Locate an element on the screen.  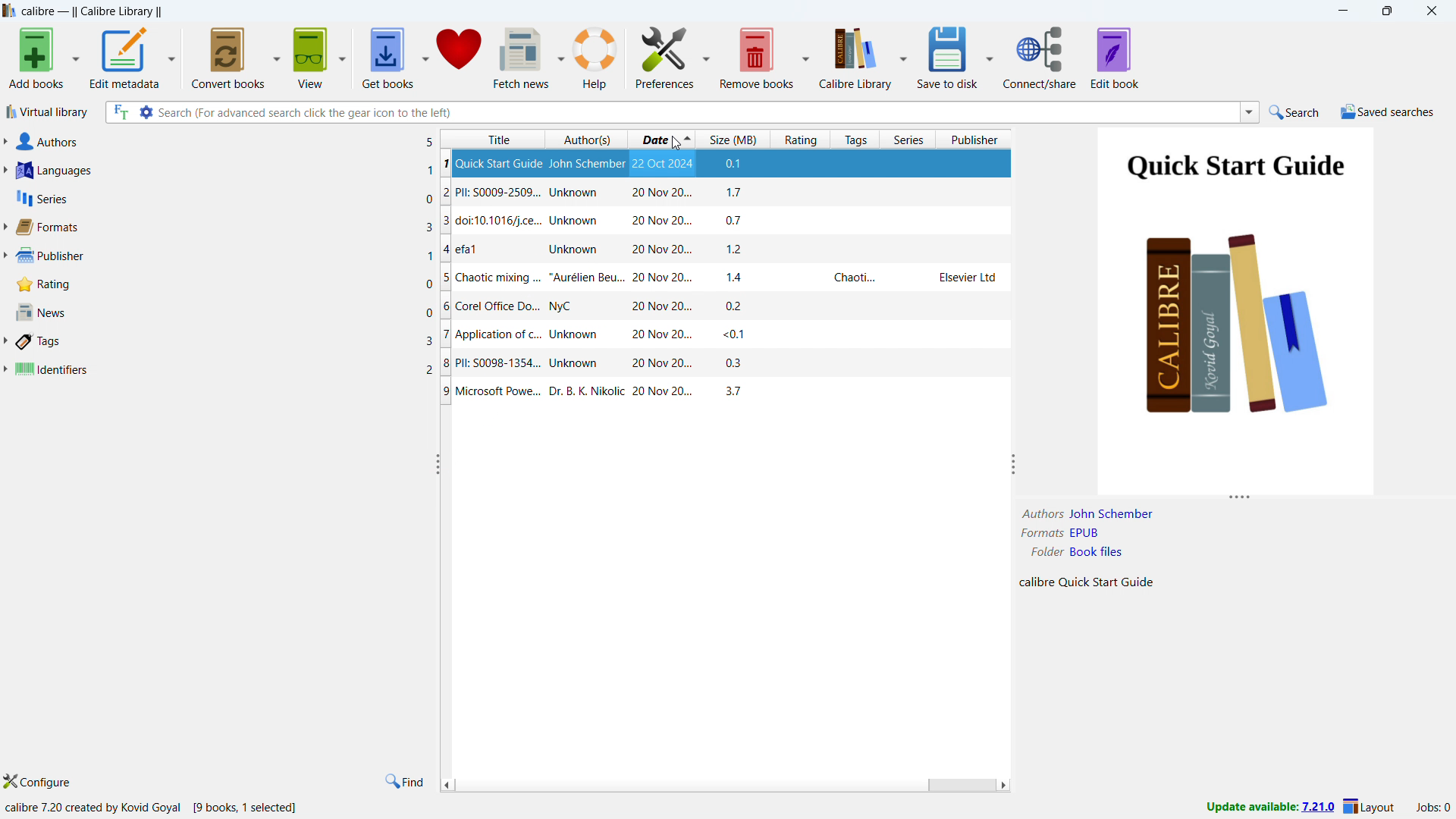
20 Nov 20.. is located at coordinates (648, 364).